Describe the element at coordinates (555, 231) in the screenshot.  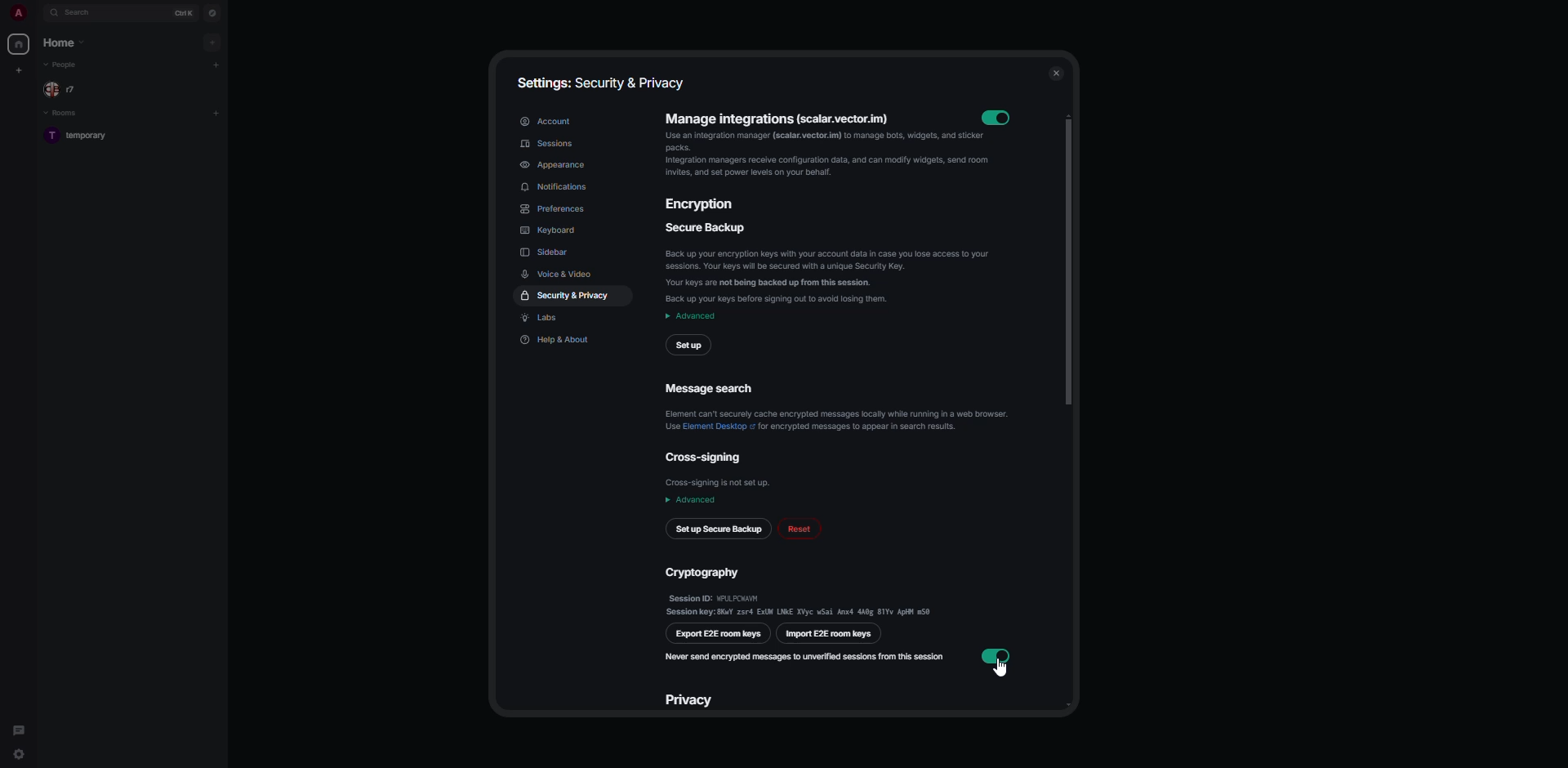
I see `keyboard` at that location.